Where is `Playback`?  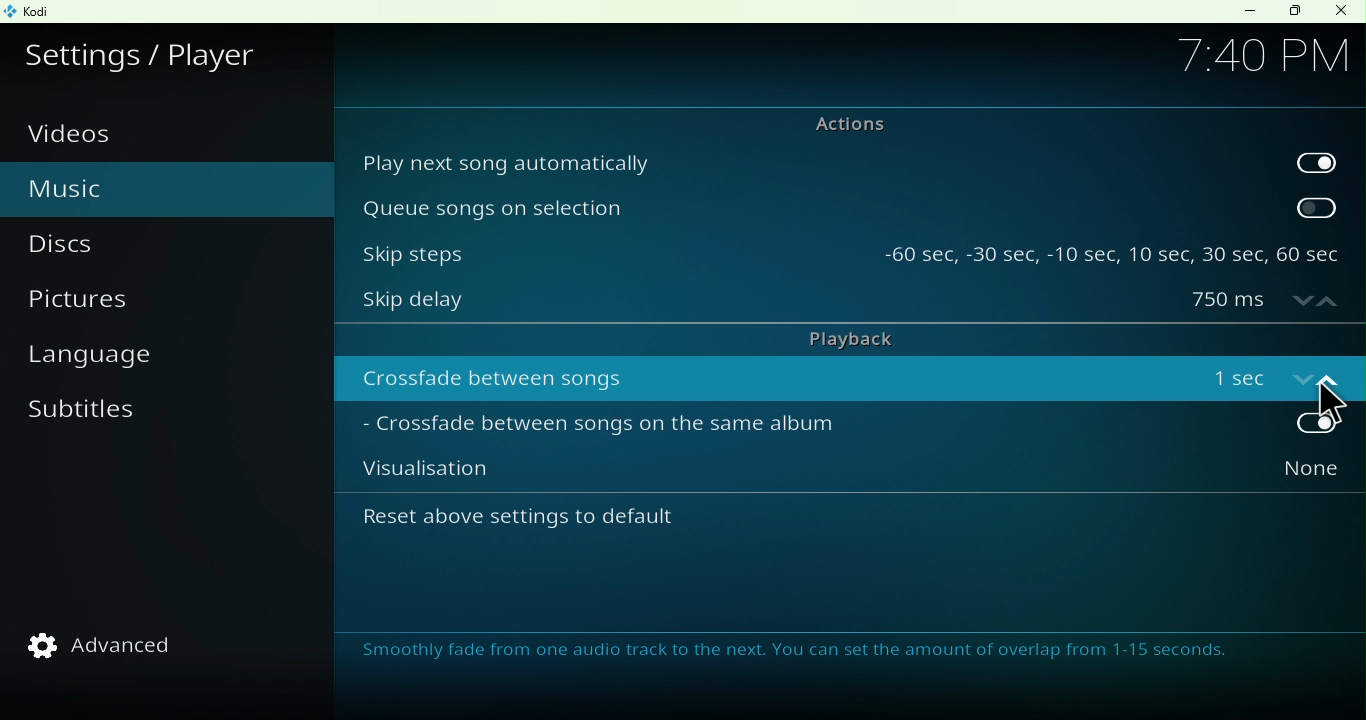 Playback is located at coordinates (846, 337).